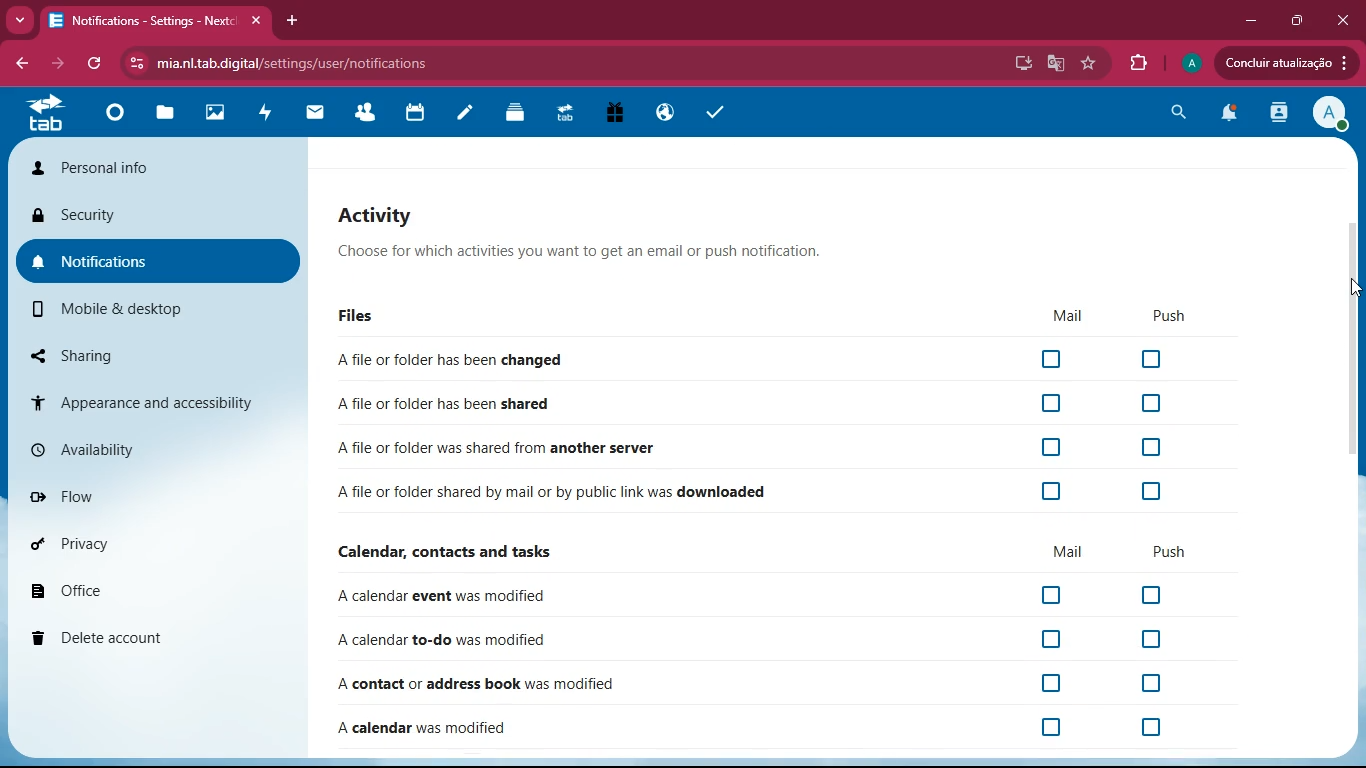 The height and width of the screenshot is (768, 1366). What do you see at coordinates (1153, 490) in the screenshot?
I see `checkbox` at bounding box center [1153, 490].